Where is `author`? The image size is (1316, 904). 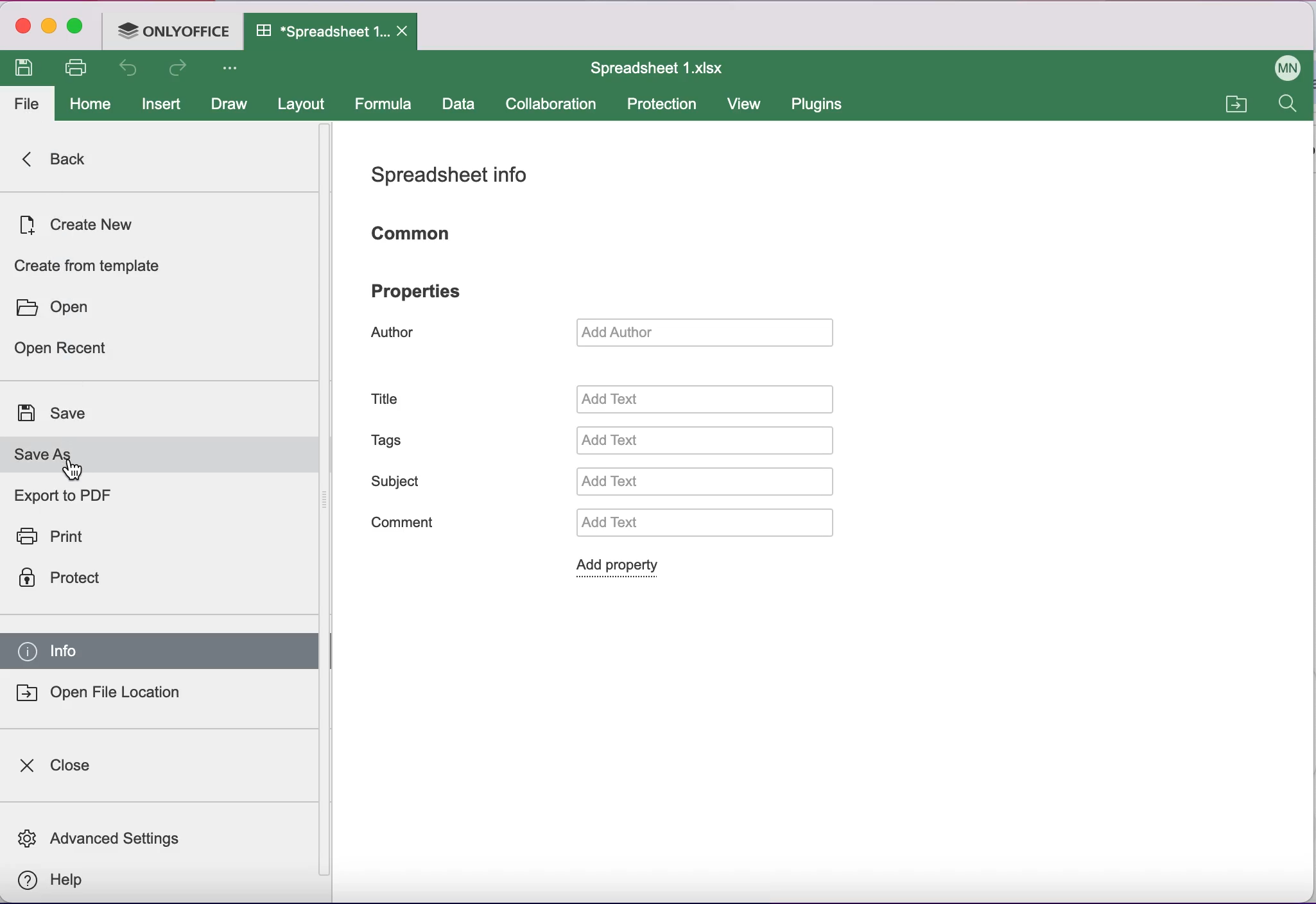 author is located at coordinates (398, 335).